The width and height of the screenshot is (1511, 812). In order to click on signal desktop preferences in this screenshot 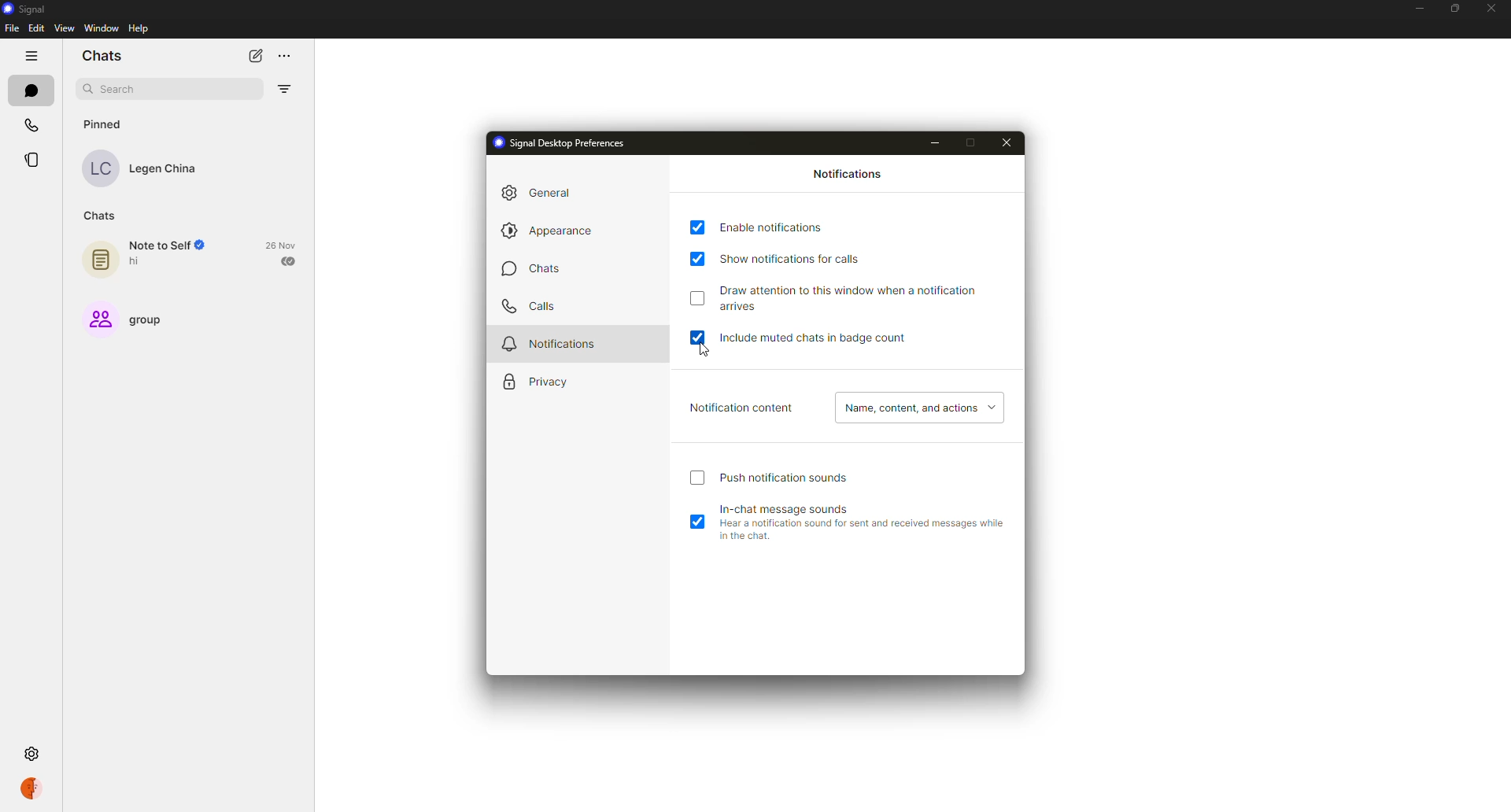, I will do `click(558, 145)`.